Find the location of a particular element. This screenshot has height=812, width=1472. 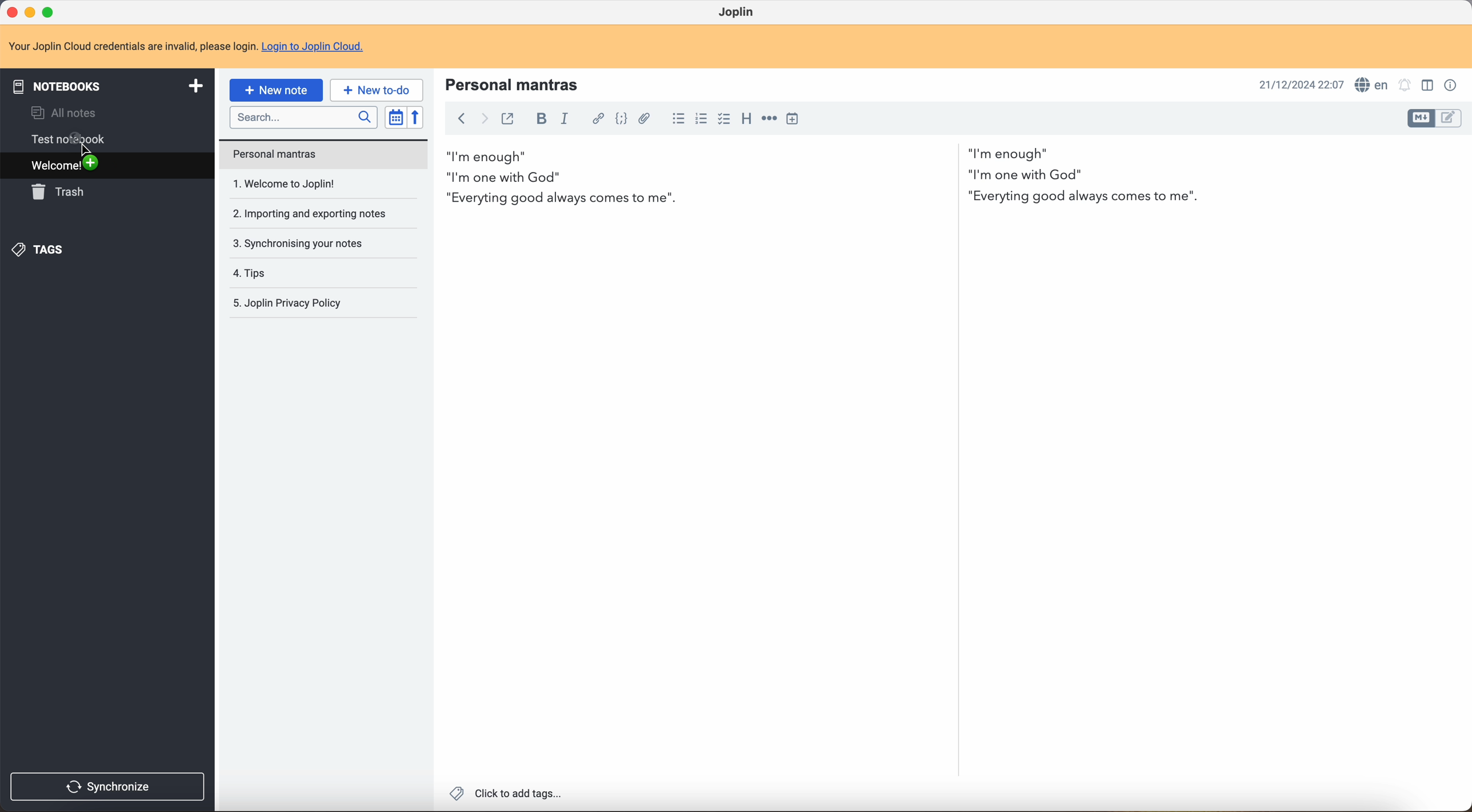

code is located at coordinates (620, 120).